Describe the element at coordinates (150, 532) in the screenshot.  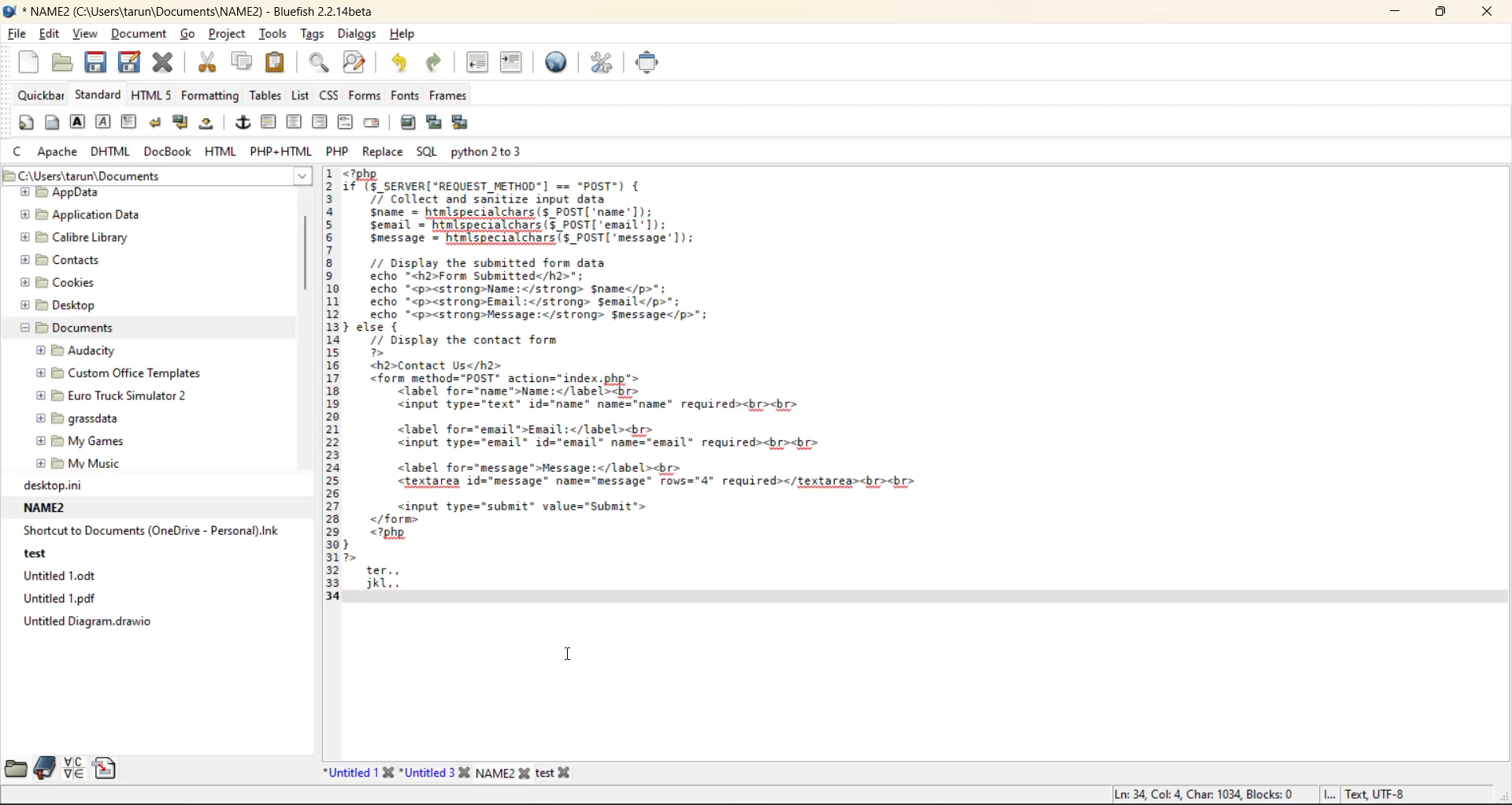
I see `Shortcut to Documents (OneDrive - Personal).Ink` at that location.